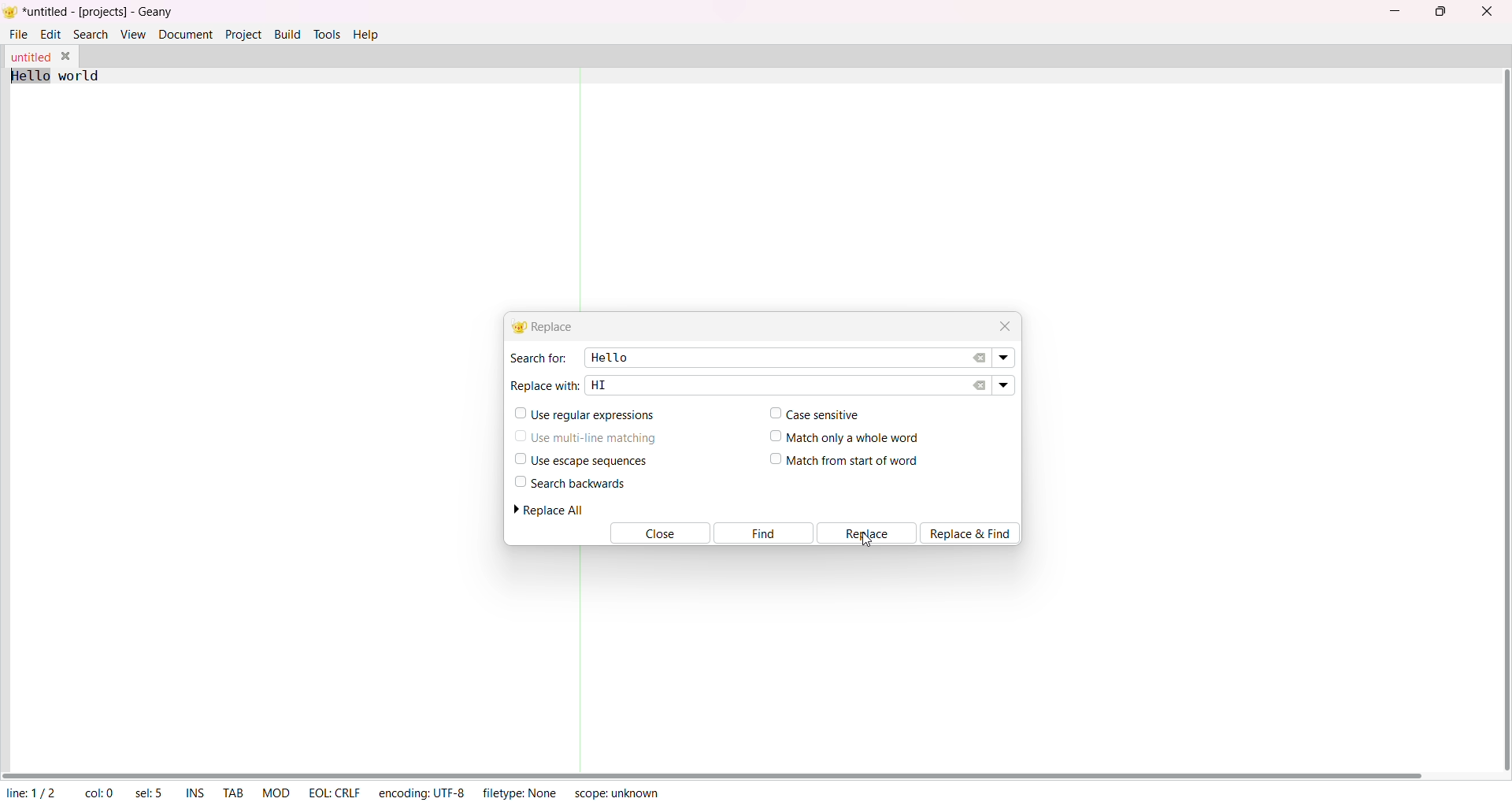  What do you see at coordinates (580, 659) in the screenshot?
I see `Separator` at bounding box center [580, 659].